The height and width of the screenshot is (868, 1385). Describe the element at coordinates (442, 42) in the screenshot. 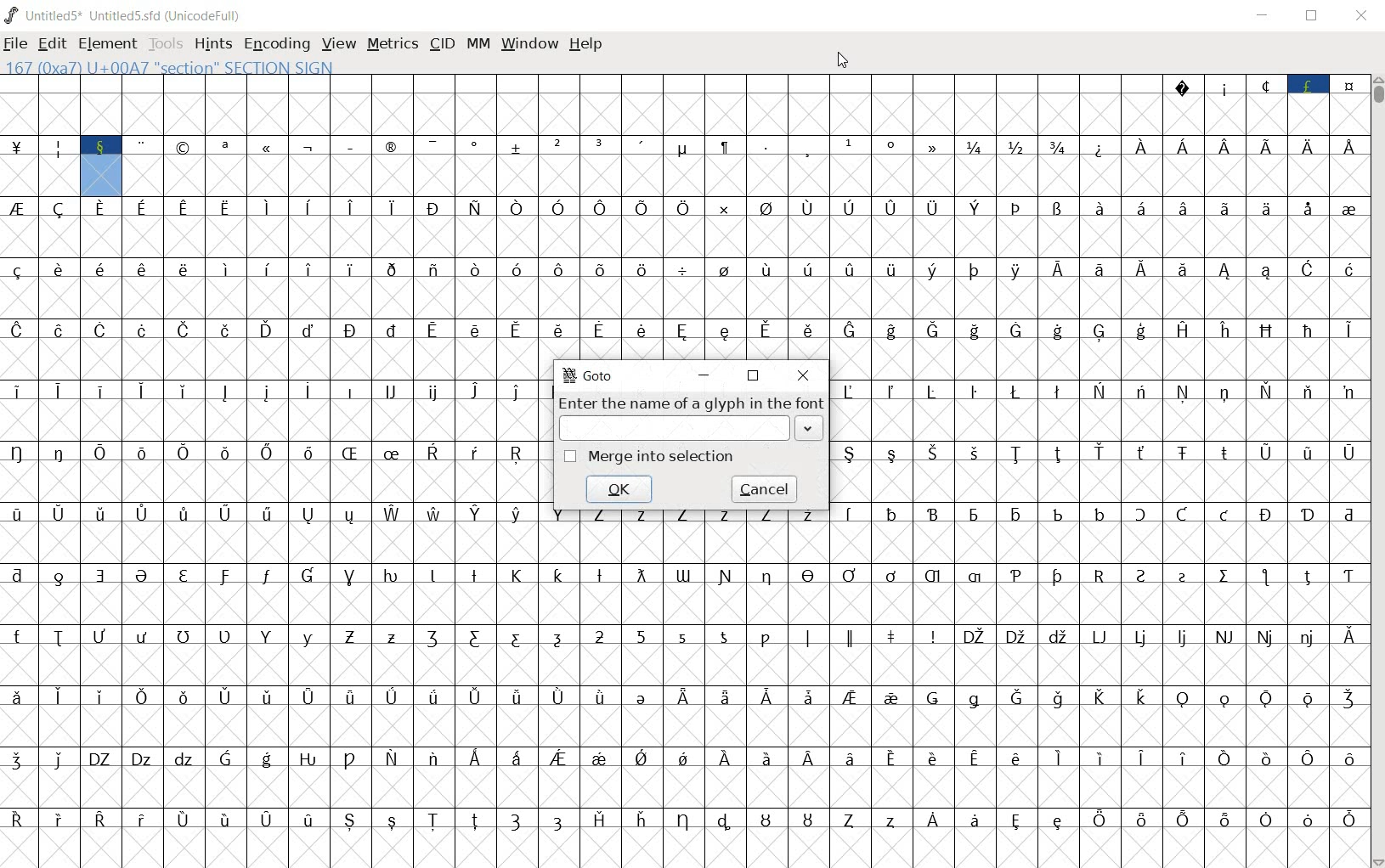

I see `cid` at that location.